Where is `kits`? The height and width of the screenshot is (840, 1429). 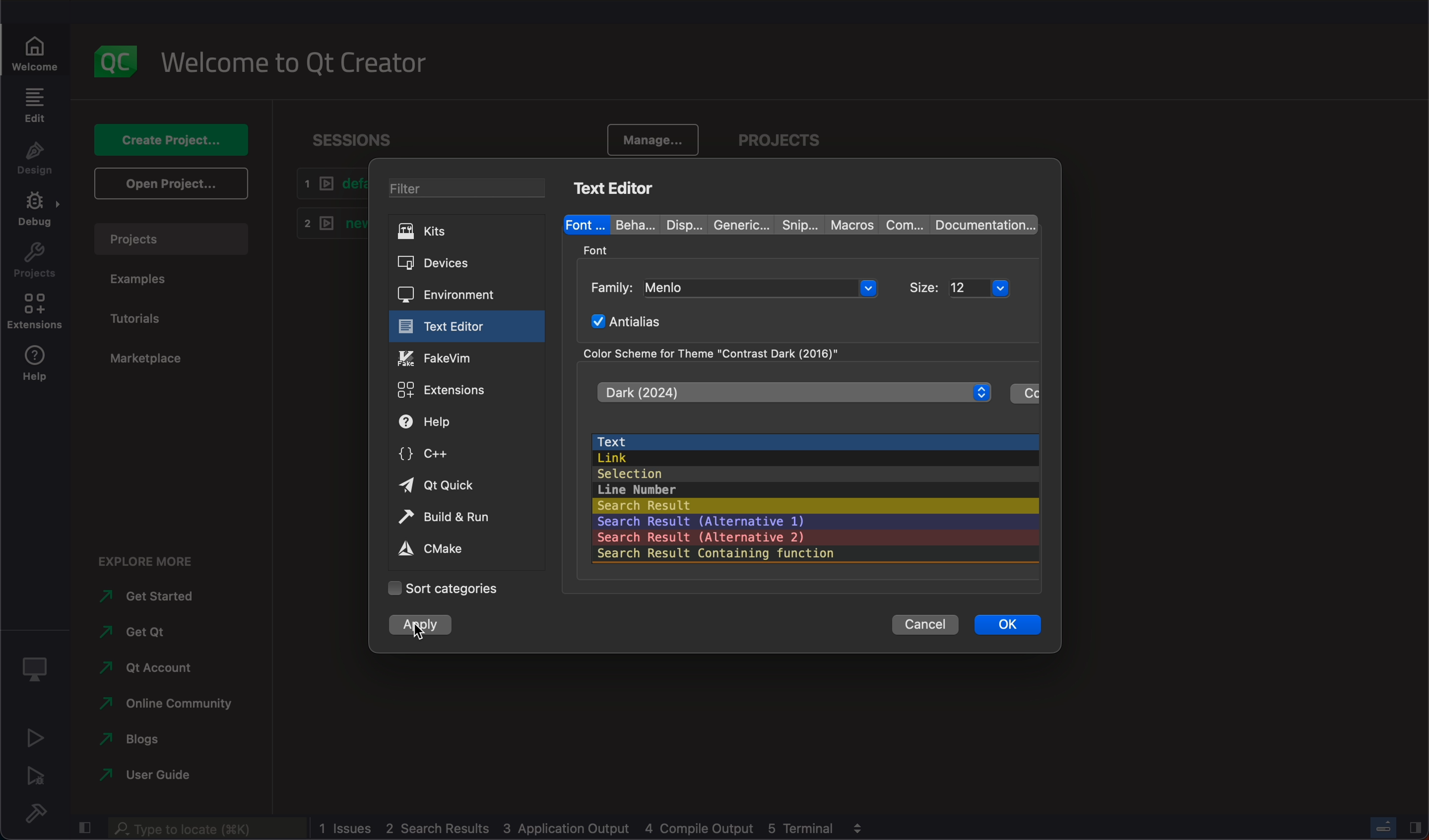 kits is located at coordinates (468, 233).